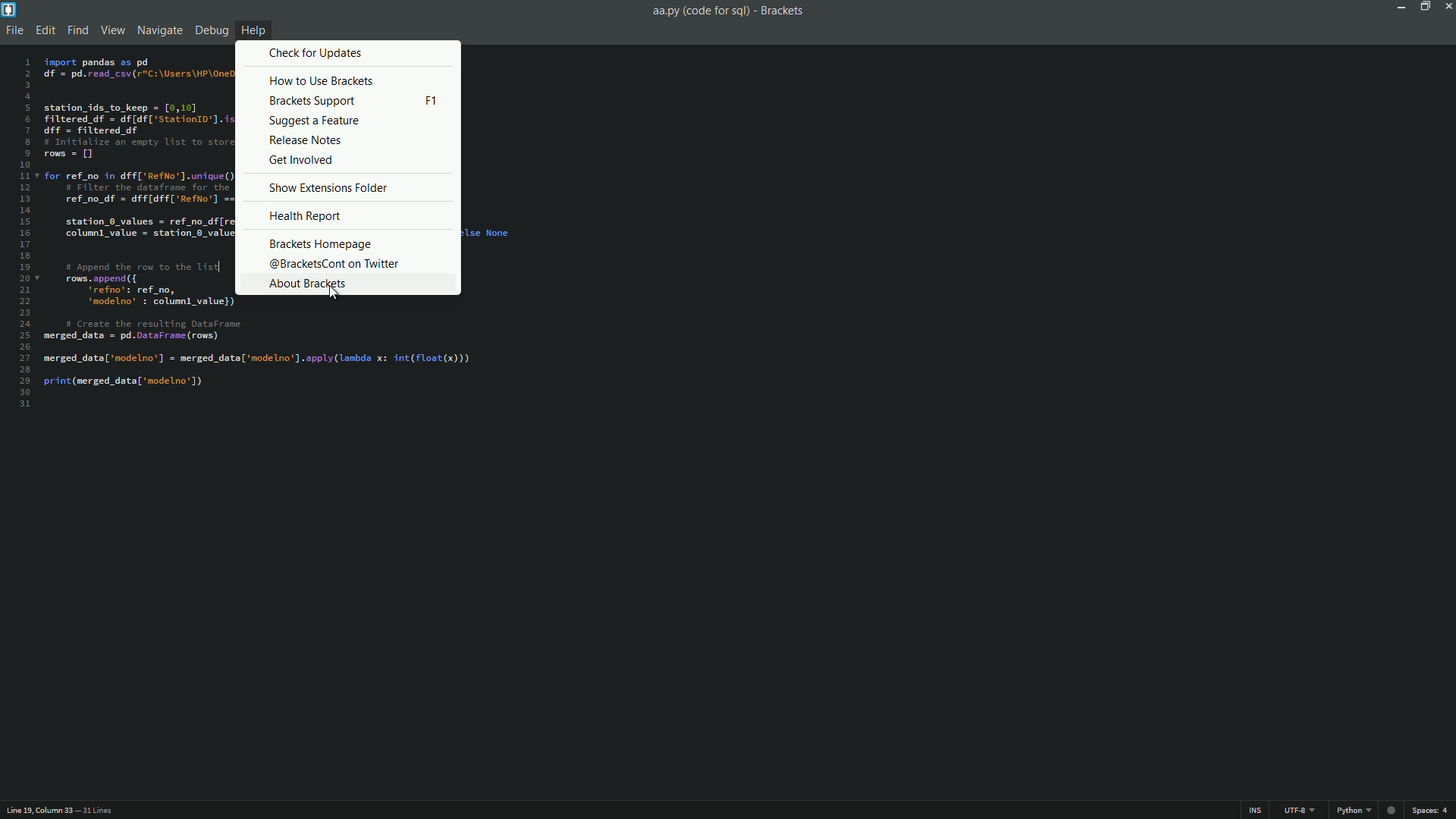  Describe the element at coordinates (314, 120) in the screenshot. I see `suggest a feature` at that location.